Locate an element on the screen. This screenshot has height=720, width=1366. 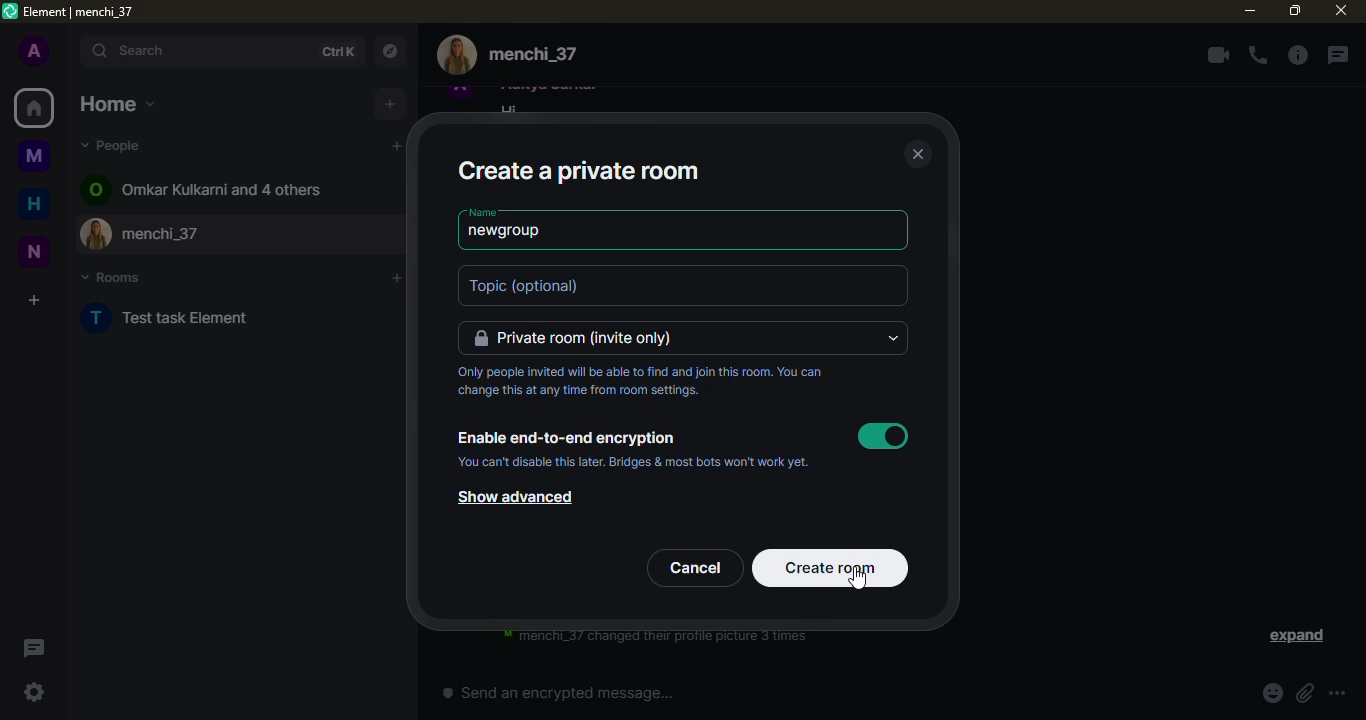
Enable end-to-end encryption is located at coordinates (570, 439).